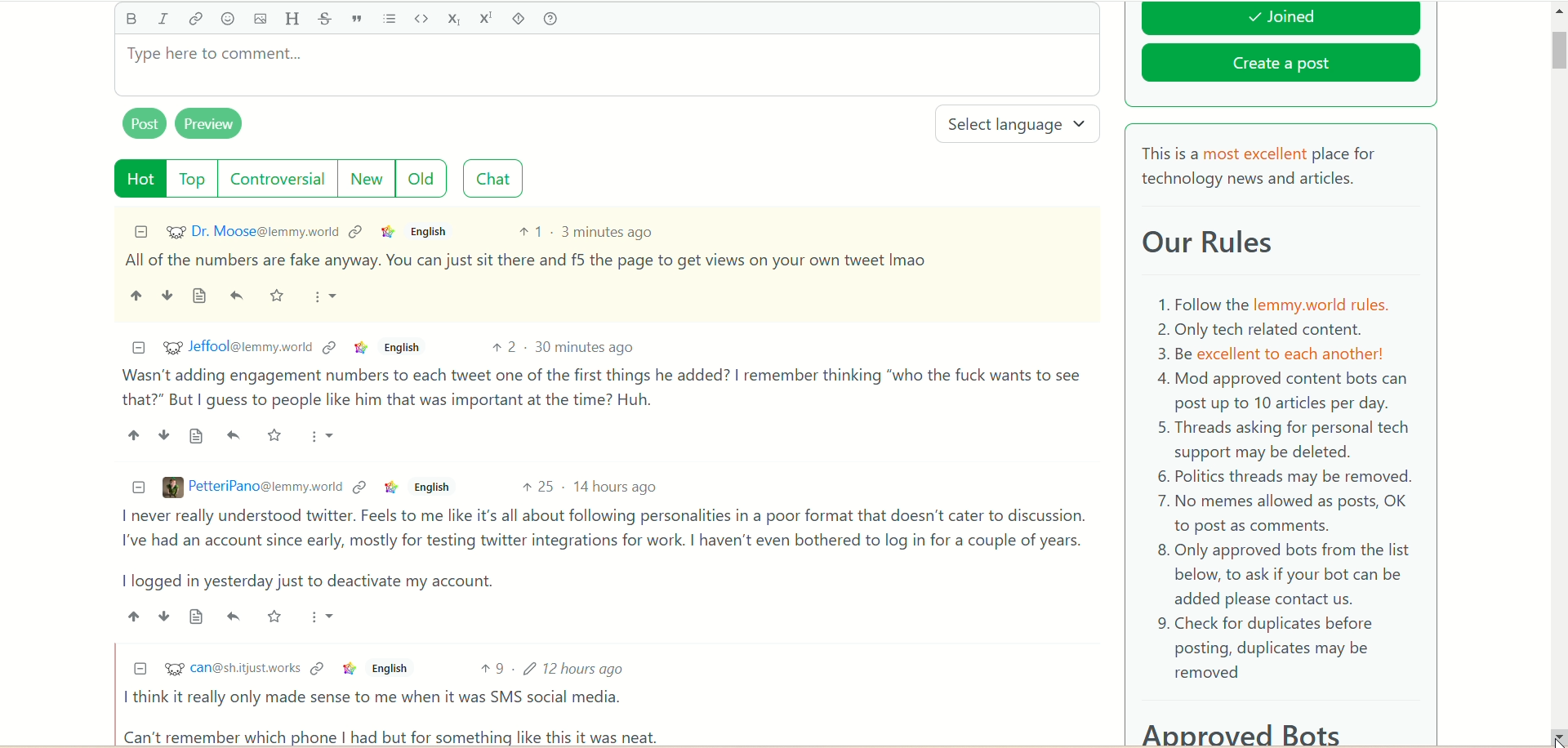 The image size is (1568, 748). What do you see at coordinates (276, 434) in the screenshot?
I see `Starred` at bounding box center [276, 434].